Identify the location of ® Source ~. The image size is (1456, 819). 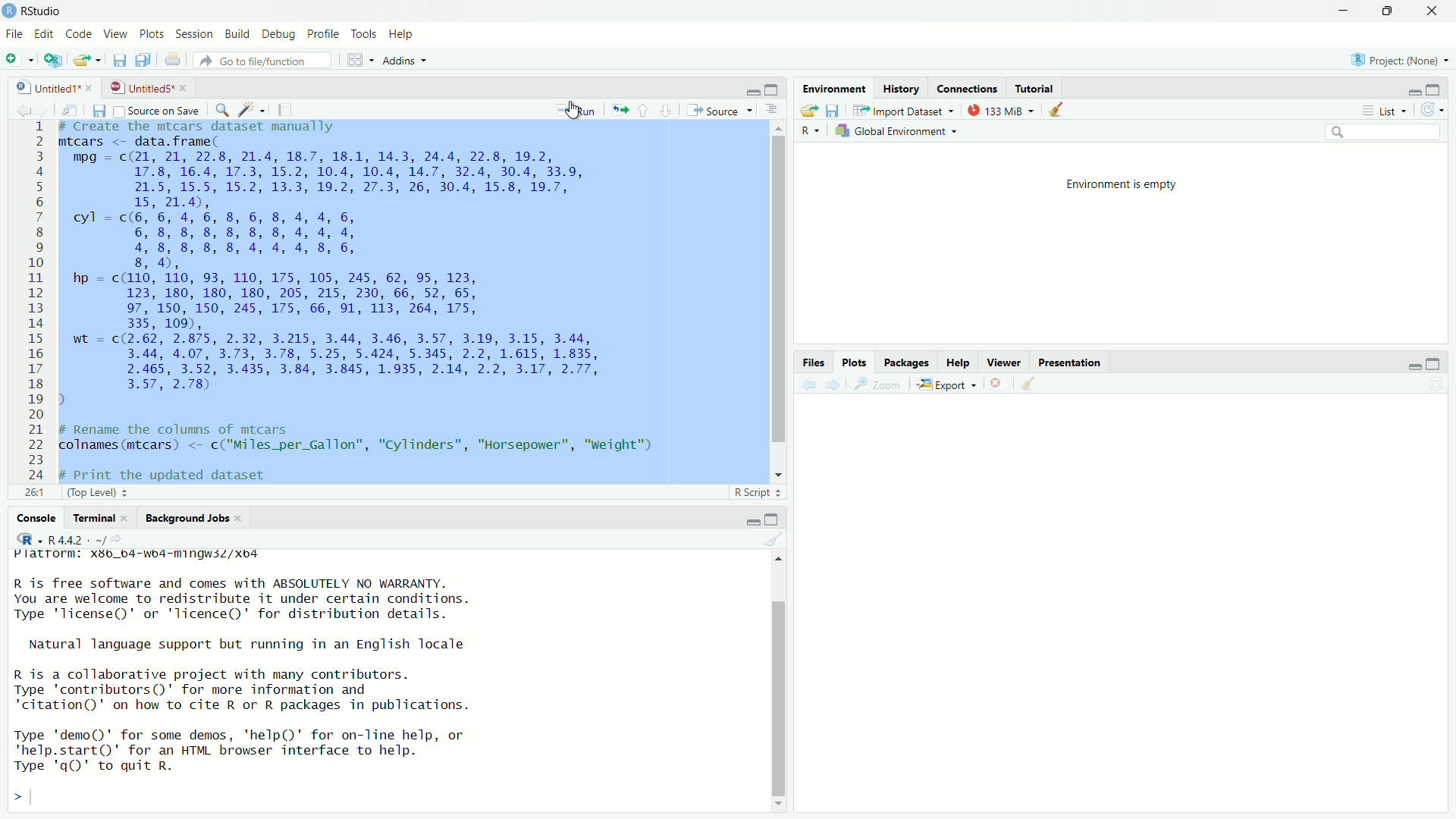
(723, 109).